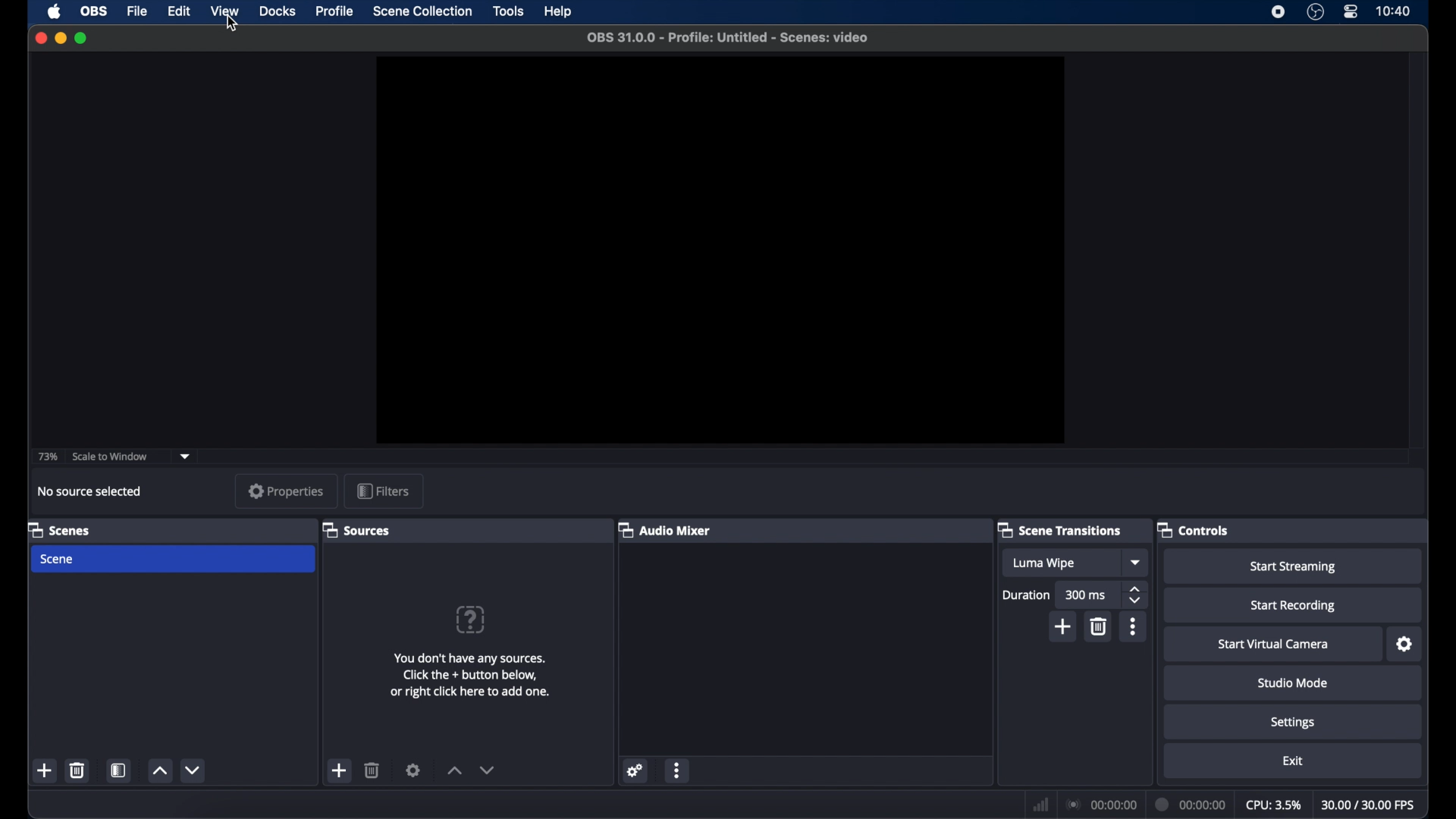 The image size is (1456, 819). I want to click on tools, so click(509, 11).